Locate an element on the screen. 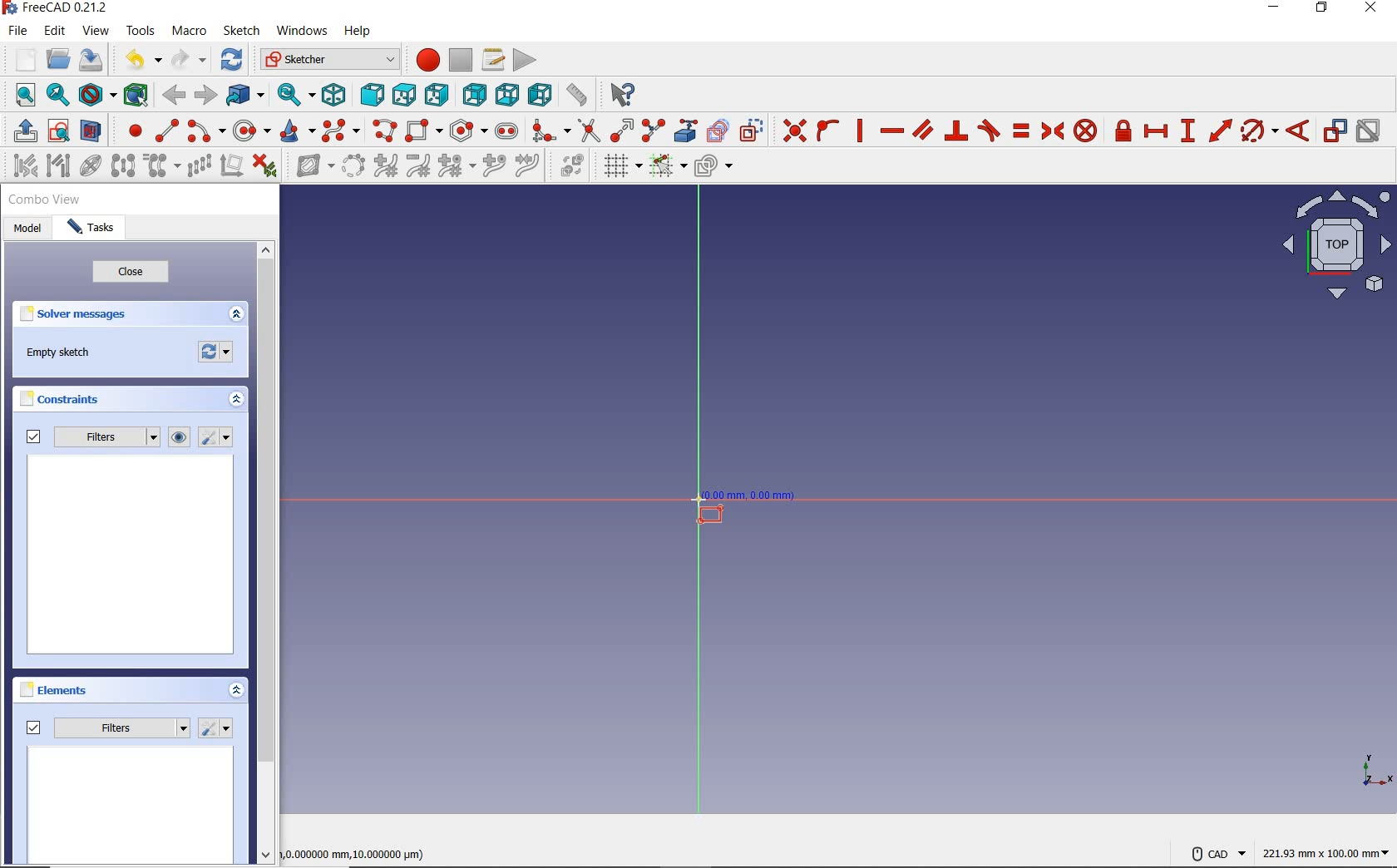 This screenshot has height=868, width=1397. got to linked object is located at coordinates (246, 97).